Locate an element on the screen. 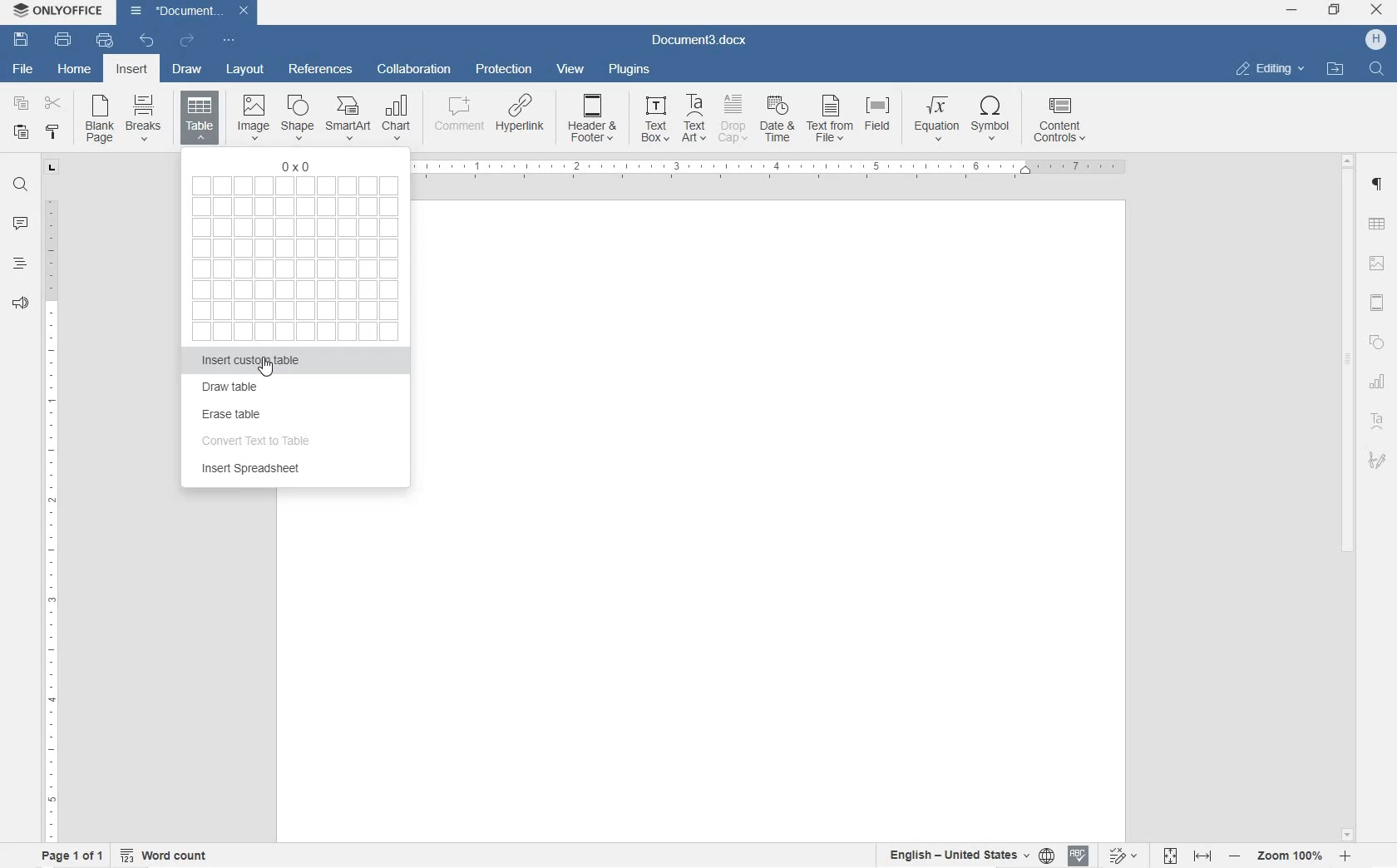  TAB is located at coordinates (52, 167).